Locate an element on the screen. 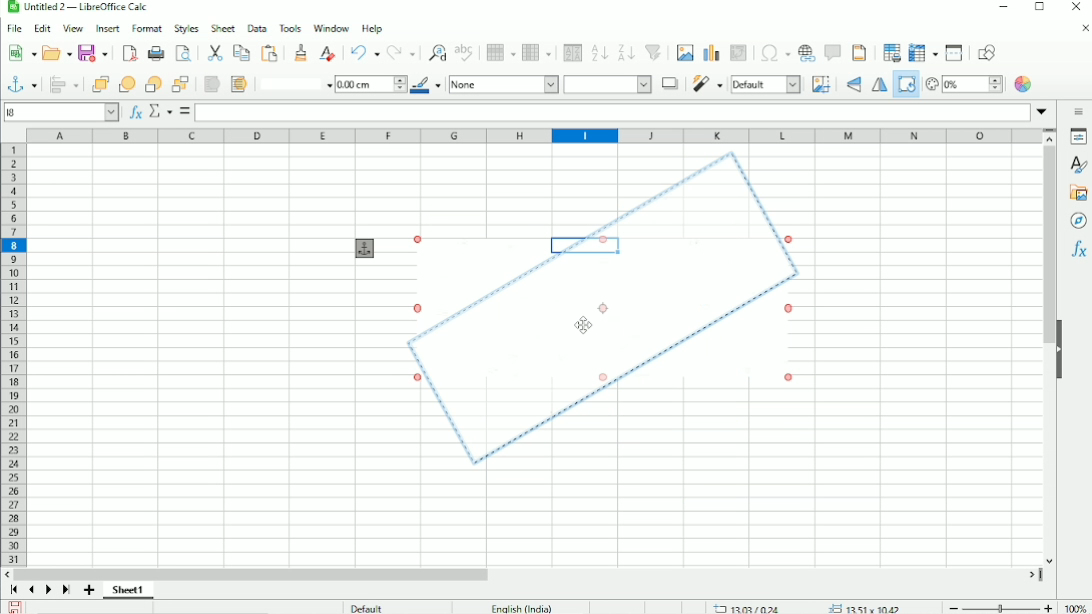  Insert hyperlink is located at coordinates (806, 53).